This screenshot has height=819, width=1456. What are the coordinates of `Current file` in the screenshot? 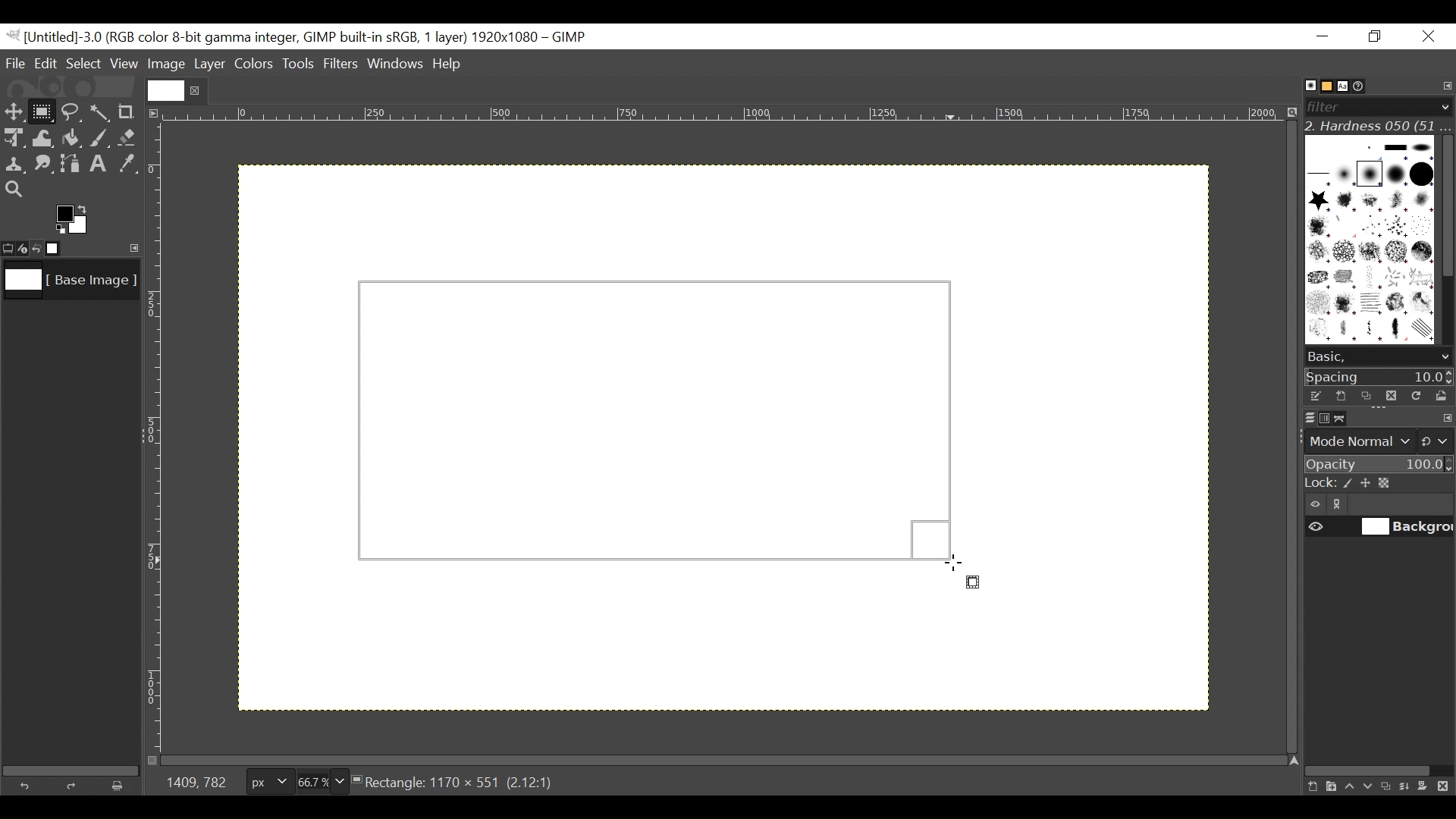 It's located at (167, 88).